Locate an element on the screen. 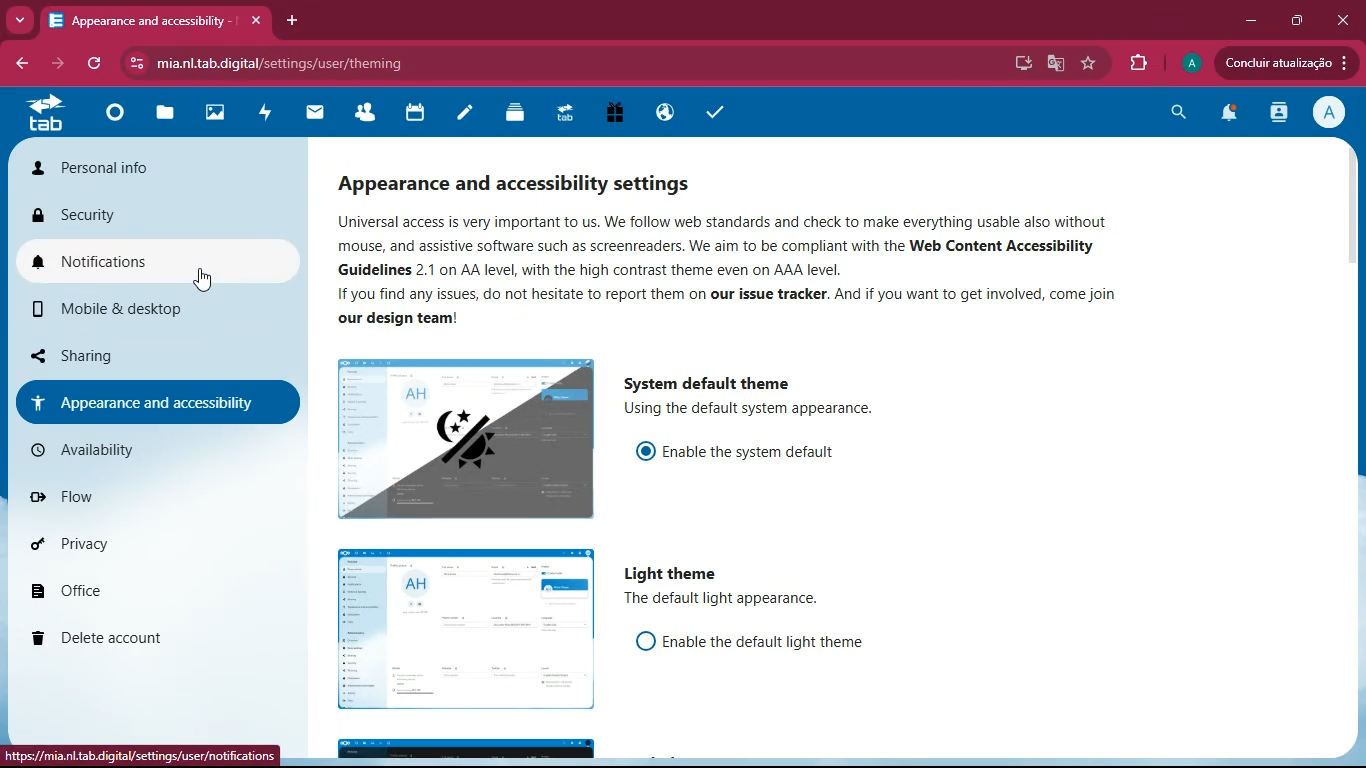  refresh is located at coordinates (98, 64).